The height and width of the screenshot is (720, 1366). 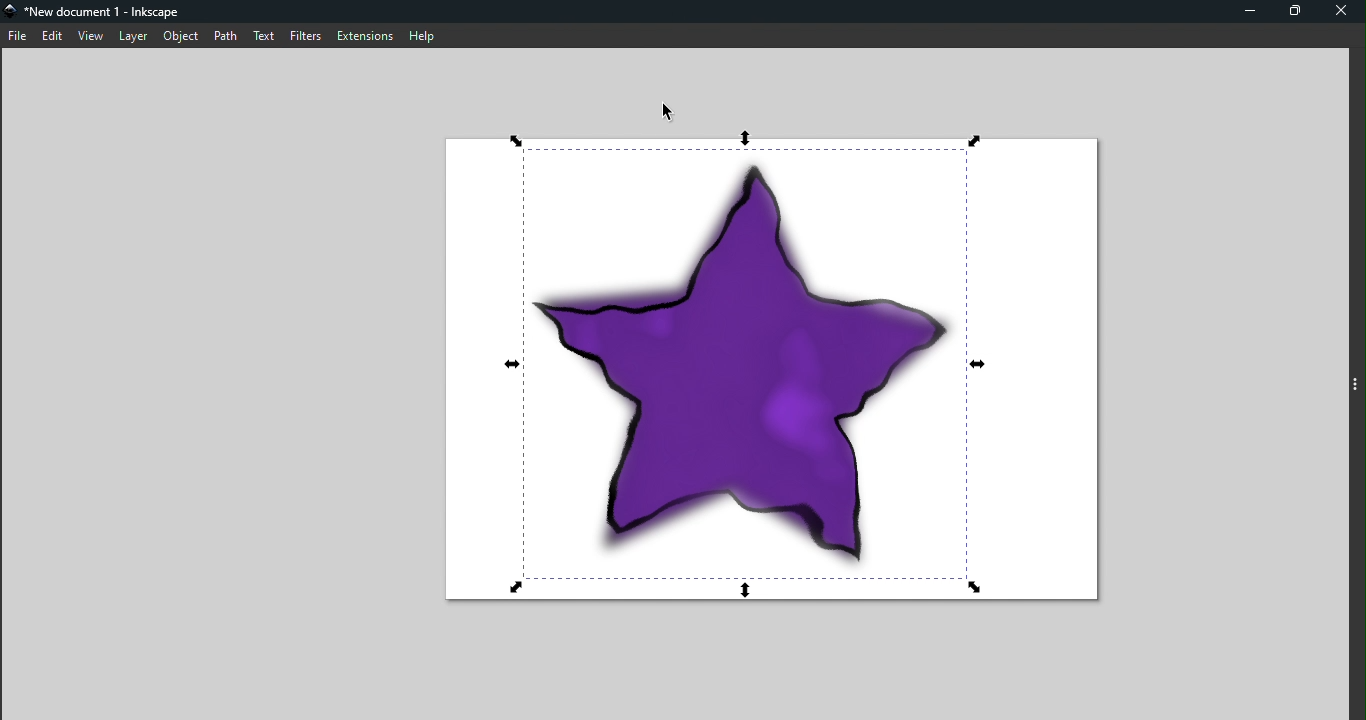 What do you see at coordinates (91, 35) in the screenshot?
I see `View` at bounding box center [91, 35].